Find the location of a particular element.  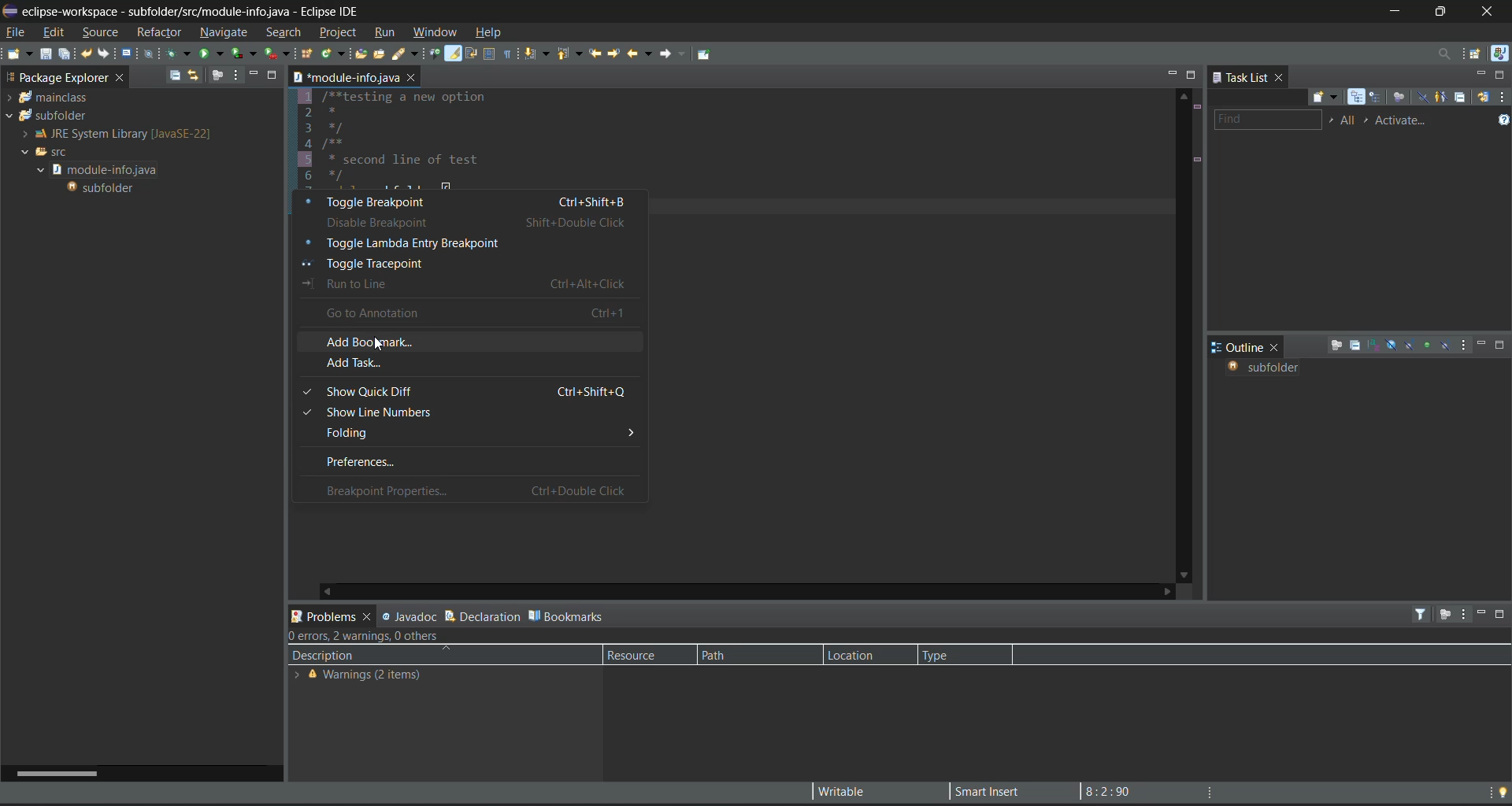

minimize is located at coordinates (1482, 344).